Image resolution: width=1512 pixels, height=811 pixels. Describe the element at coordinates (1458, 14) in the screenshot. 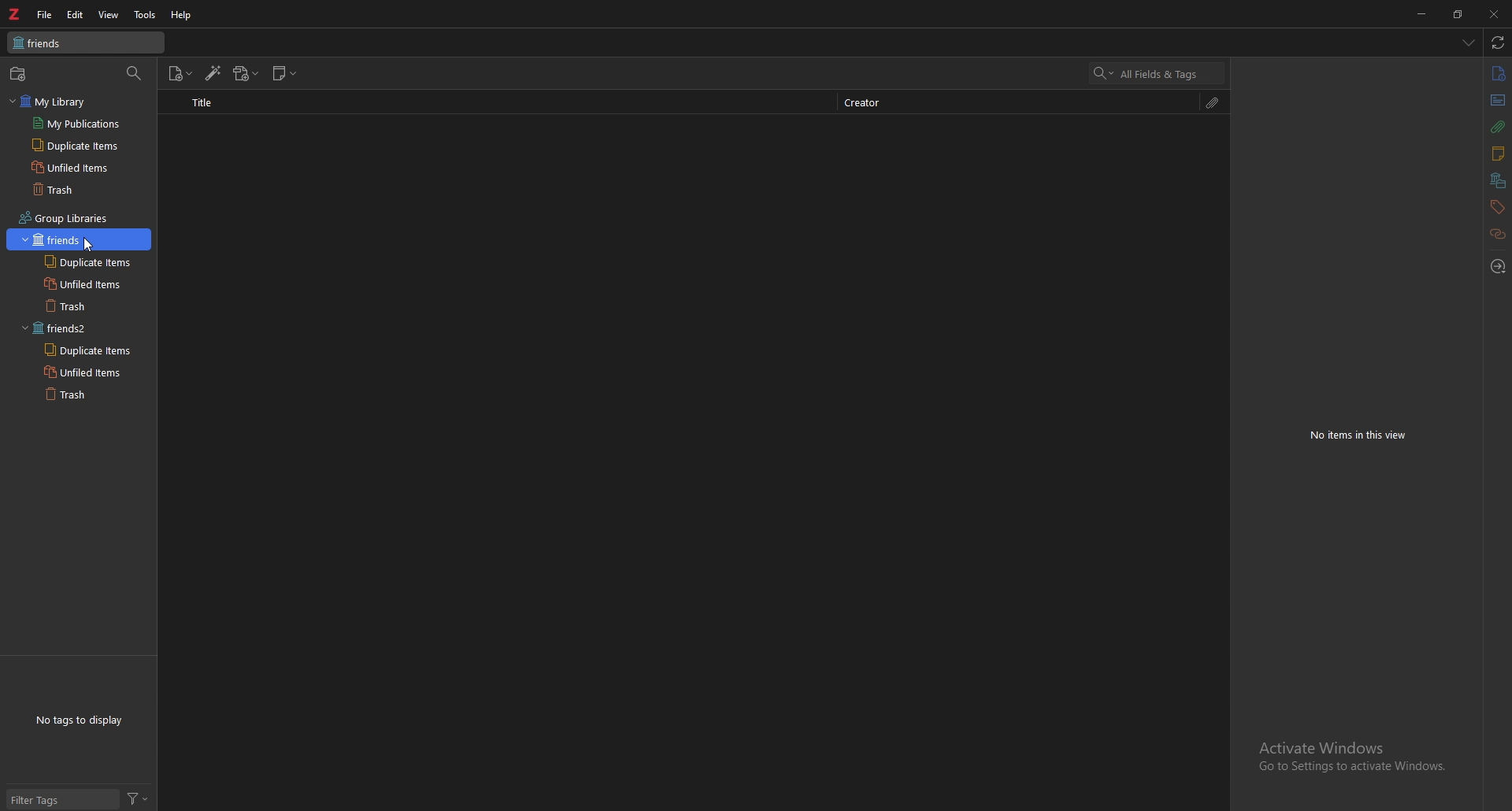

I see `resize` at that location.